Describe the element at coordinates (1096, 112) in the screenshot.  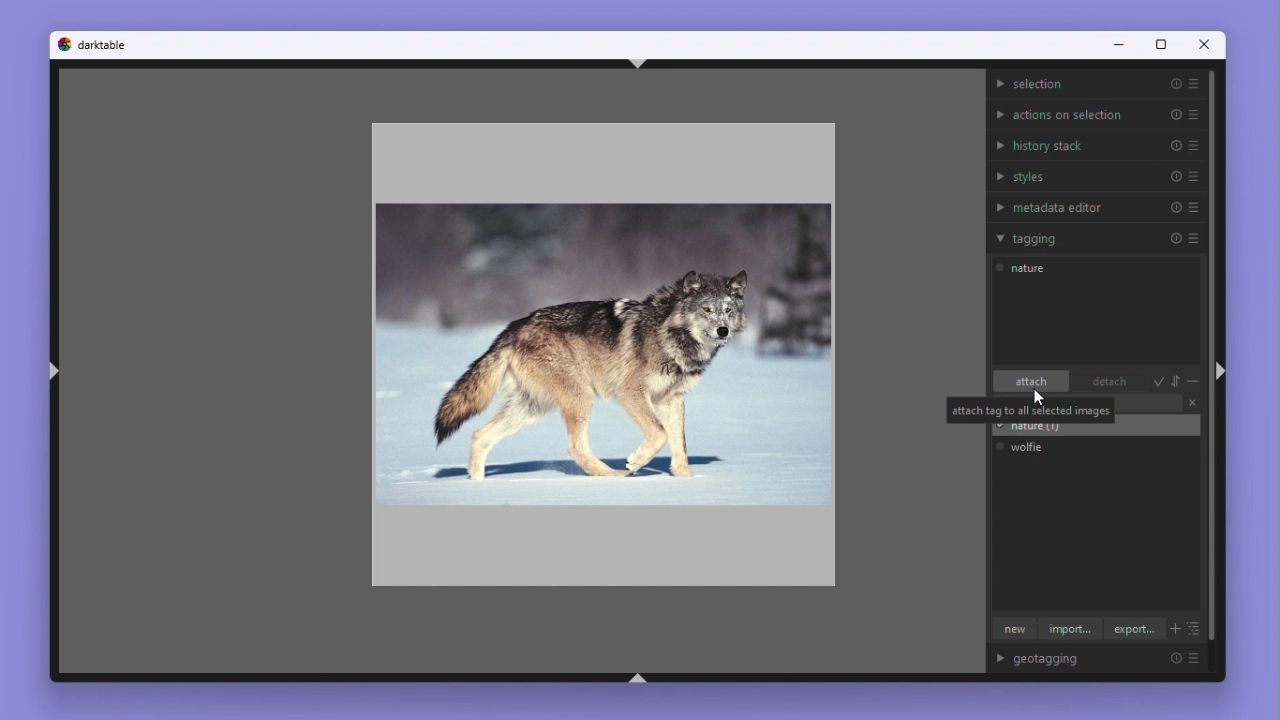
I see `Actions on selection` at that location.